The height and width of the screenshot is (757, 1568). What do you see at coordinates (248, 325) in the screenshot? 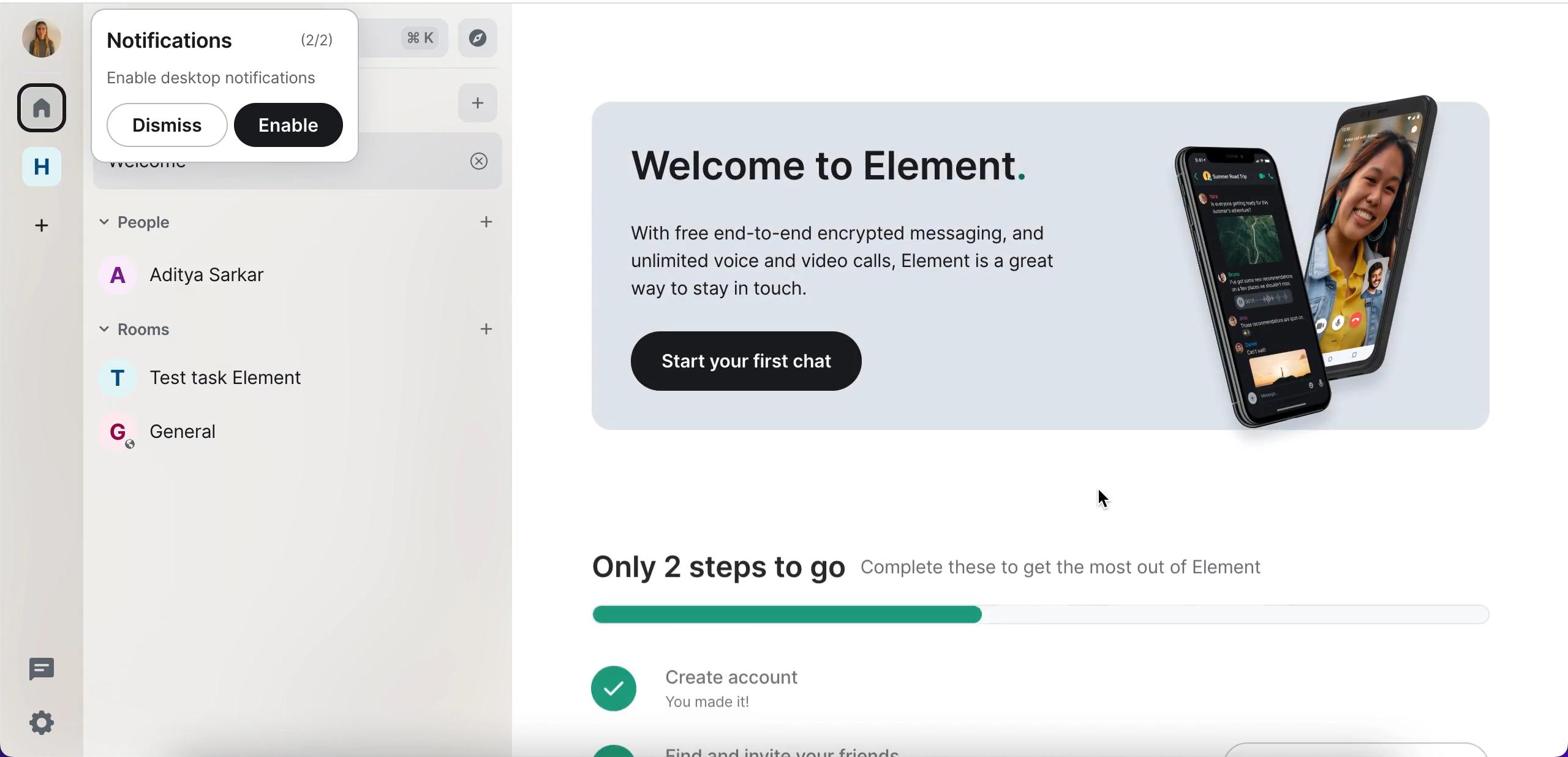
I see `rooms` at bounding box center [248, 325].